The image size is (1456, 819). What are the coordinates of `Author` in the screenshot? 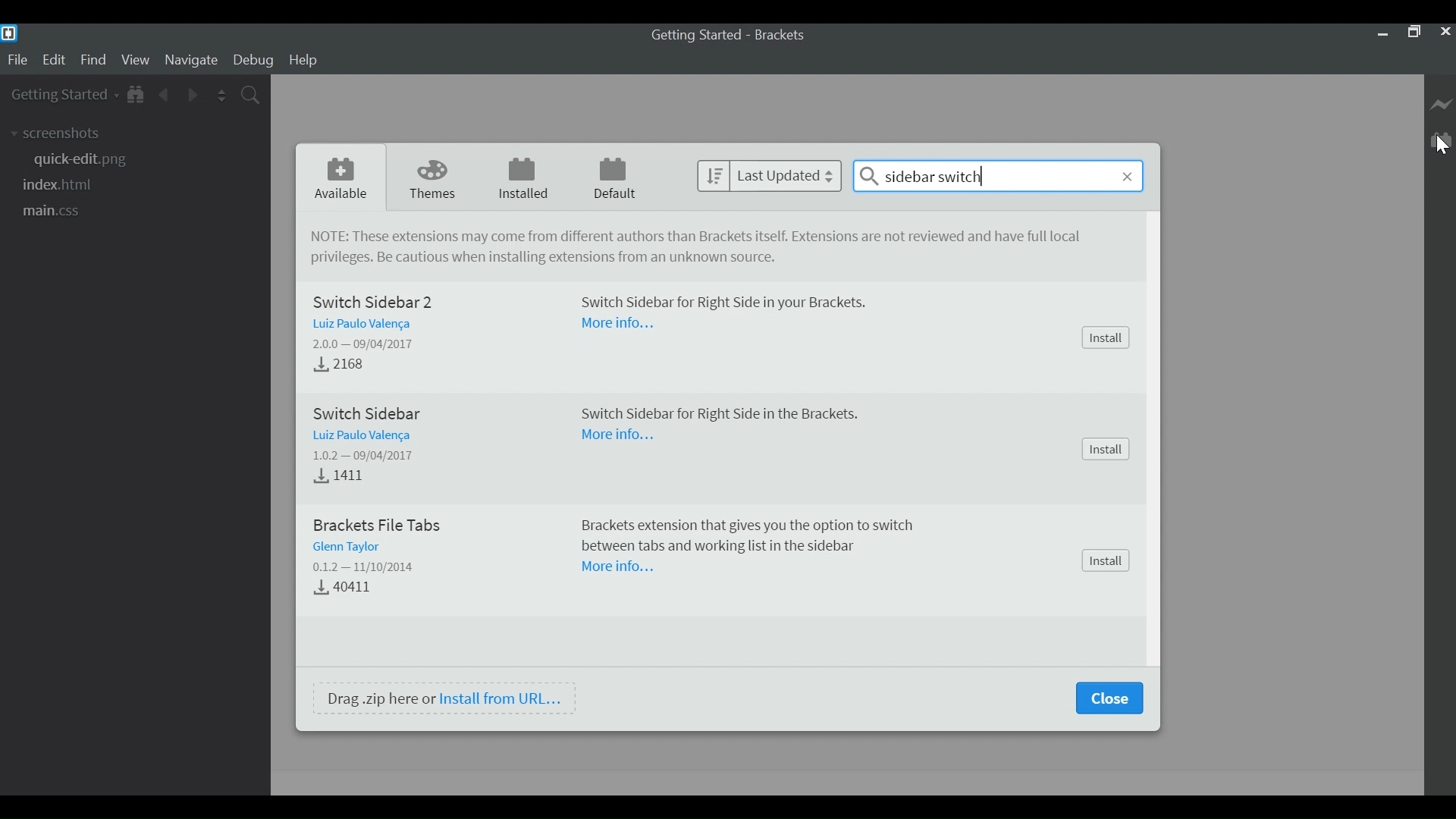 It's located at (369, 324).